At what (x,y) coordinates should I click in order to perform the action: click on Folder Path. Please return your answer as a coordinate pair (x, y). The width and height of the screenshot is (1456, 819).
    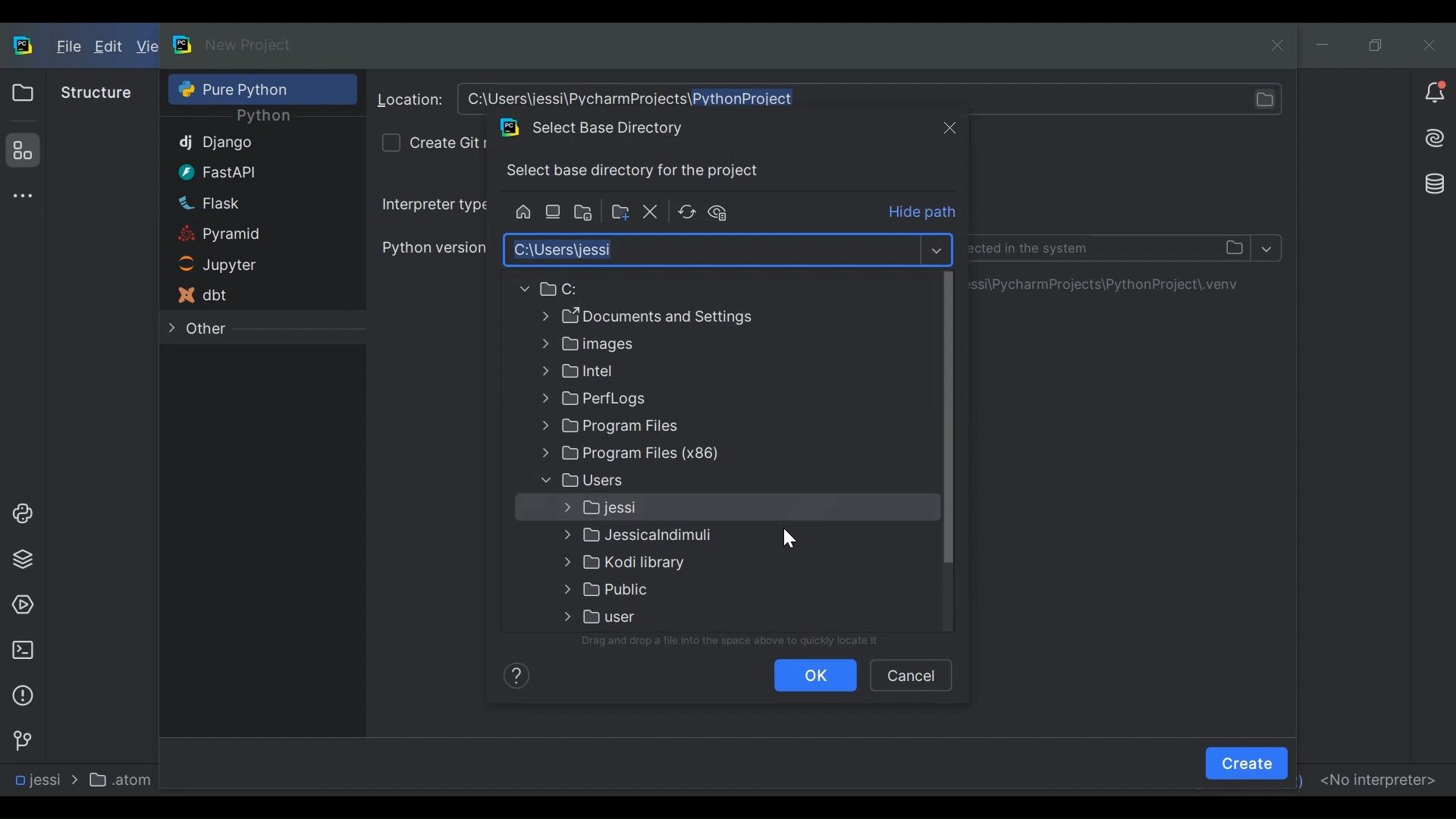
    Looking at the image, I should click on (666, 454).